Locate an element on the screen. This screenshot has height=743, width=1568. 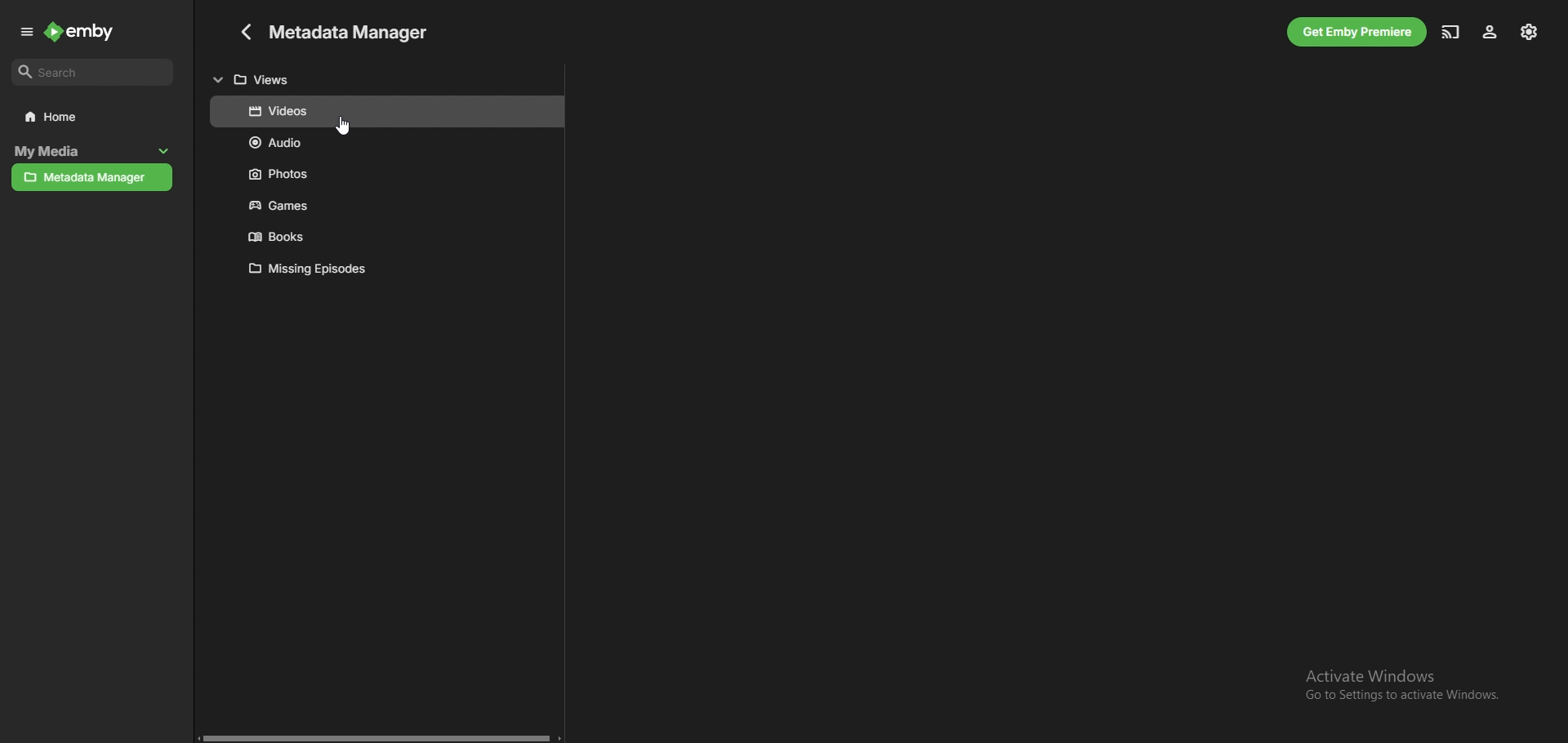
profile is located at coordinates (1490, 33).